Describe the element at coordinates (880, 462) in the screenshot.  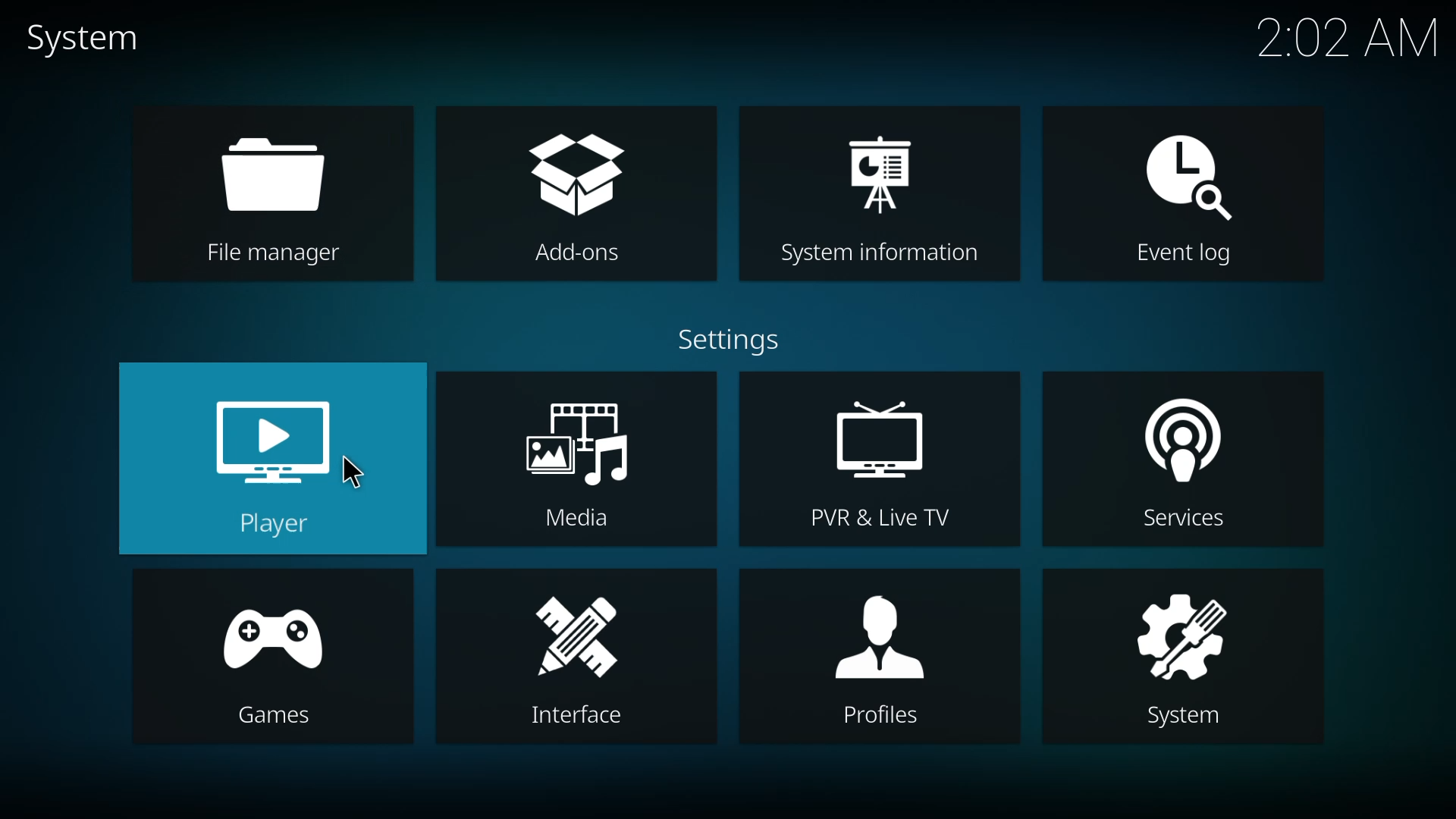
I see `pvr & live tv` at that location.